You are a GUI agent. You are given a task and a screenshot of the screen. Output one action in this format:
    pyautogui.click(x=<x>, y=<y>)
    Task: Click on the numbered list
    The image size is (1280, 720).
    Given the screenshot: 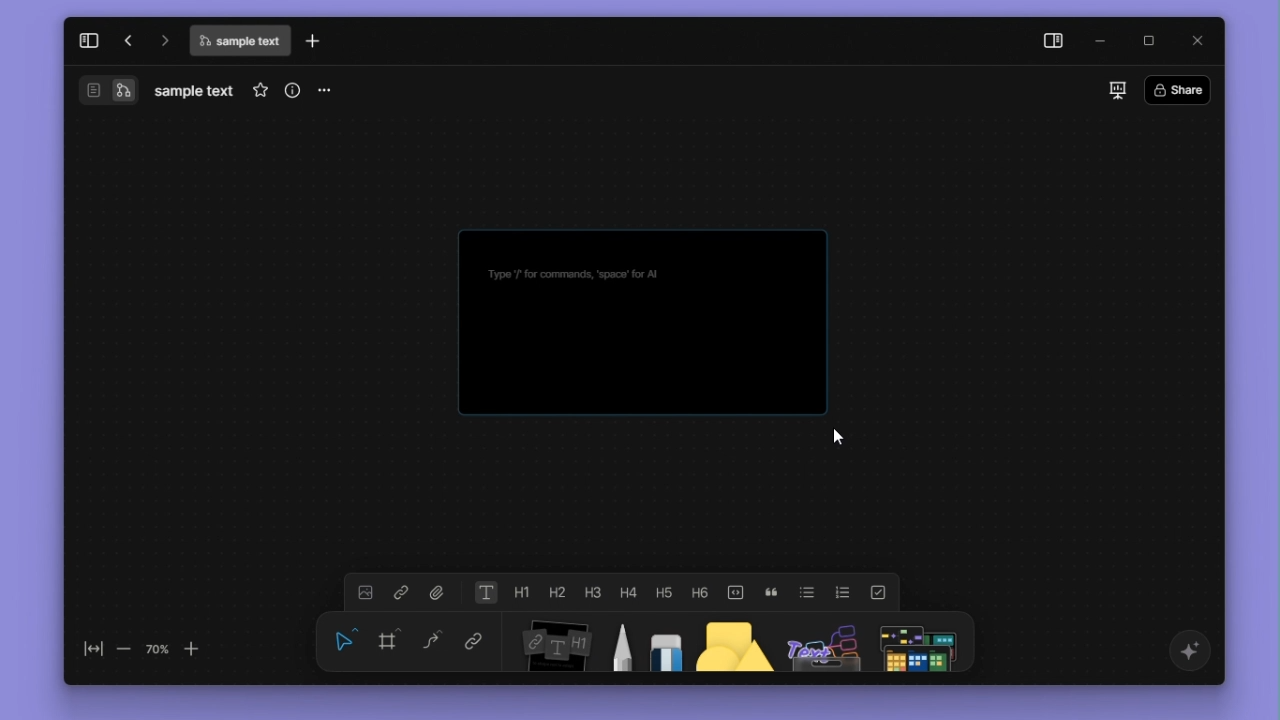 What is the action you would take?
    pyautogui.click(x=843, y=591)
    